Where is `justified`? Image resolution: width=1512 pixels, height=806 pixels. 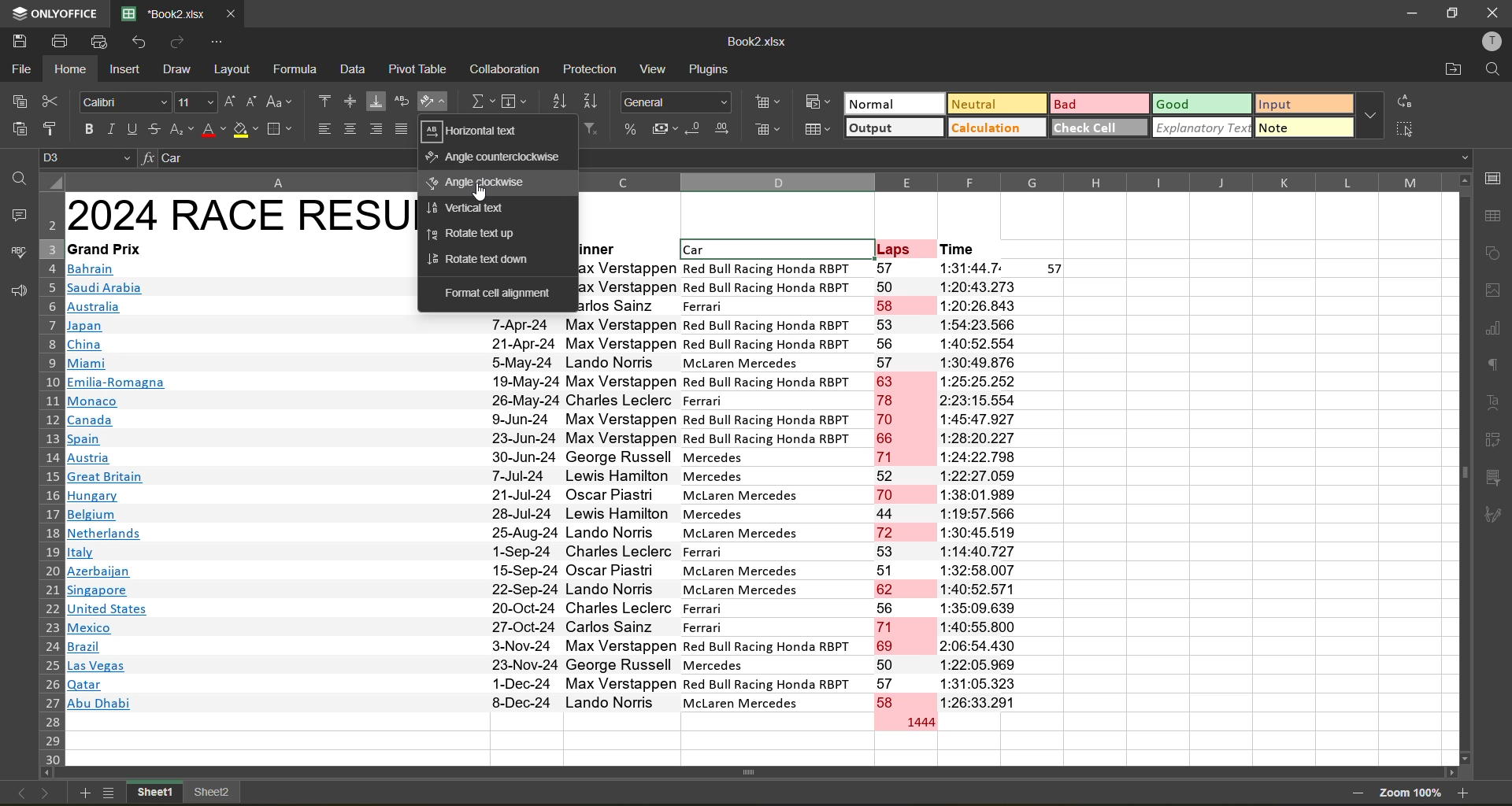
justified is located at coordinates (401, 130).